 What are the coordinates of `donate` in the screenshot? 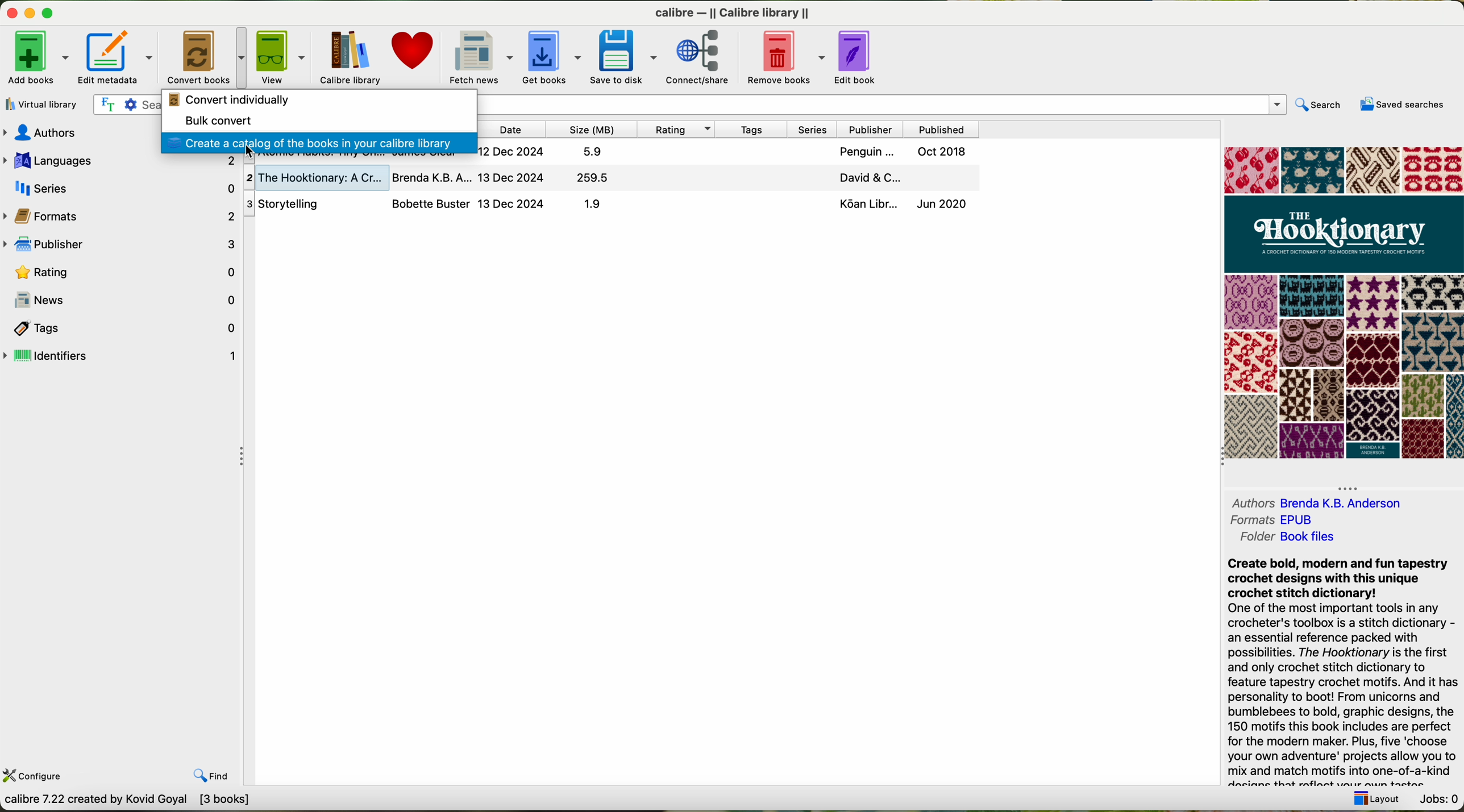 It's located at (414, 50).